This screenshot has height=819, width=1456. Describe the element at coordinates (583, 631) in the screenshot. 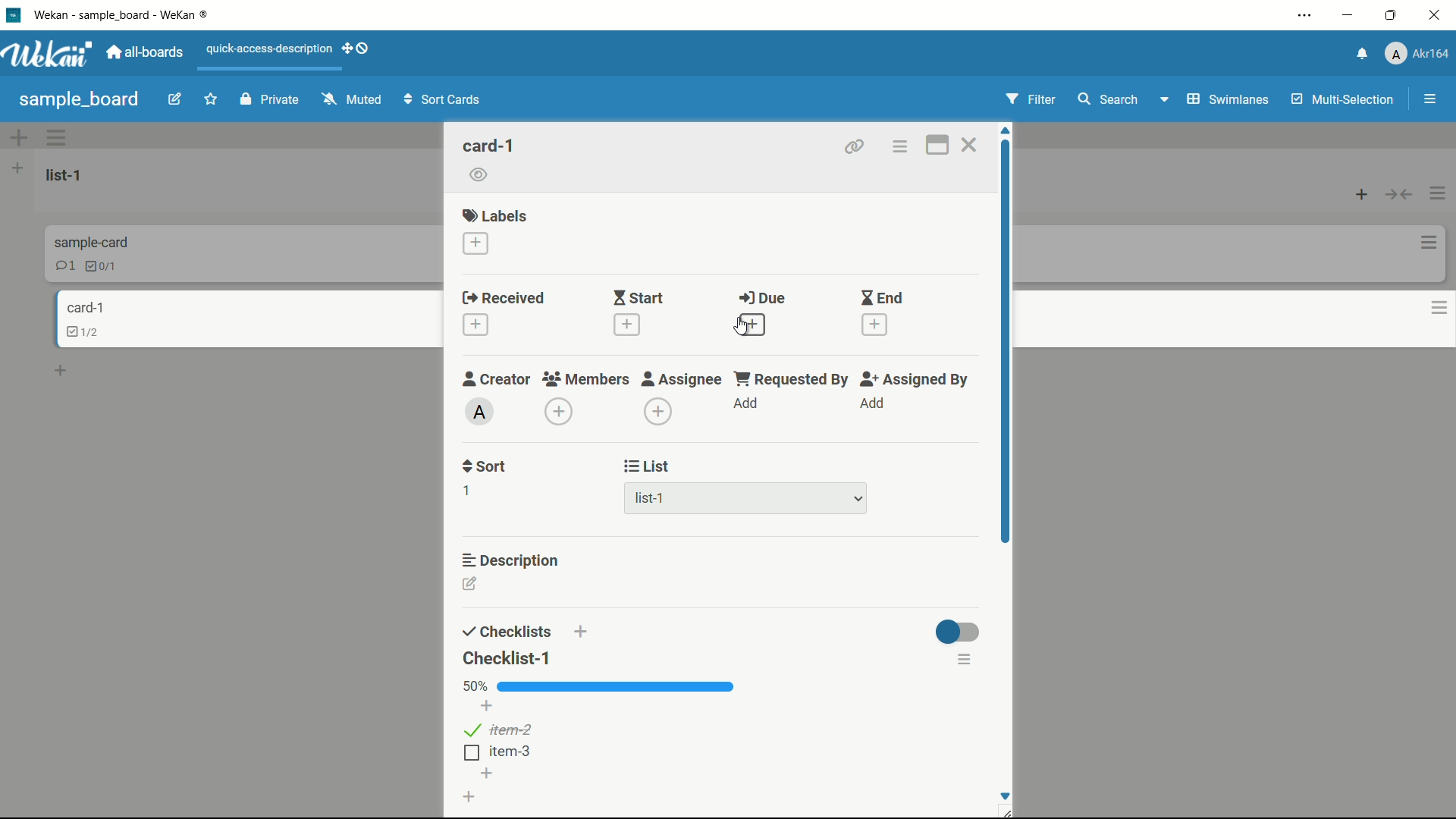

I see `add checklist` at that location.